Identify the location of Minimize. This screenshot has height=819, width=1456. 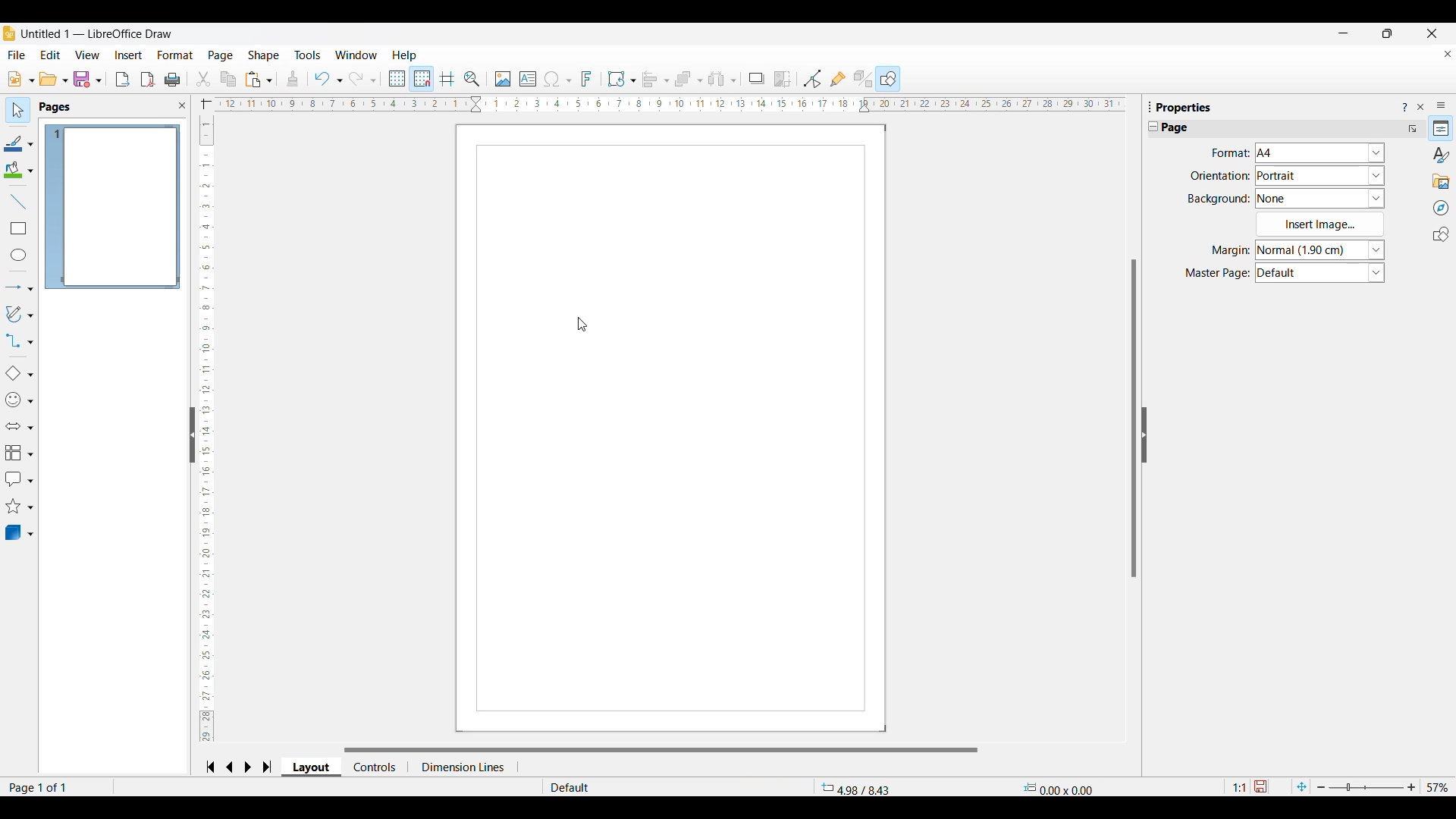
(1344, 33).